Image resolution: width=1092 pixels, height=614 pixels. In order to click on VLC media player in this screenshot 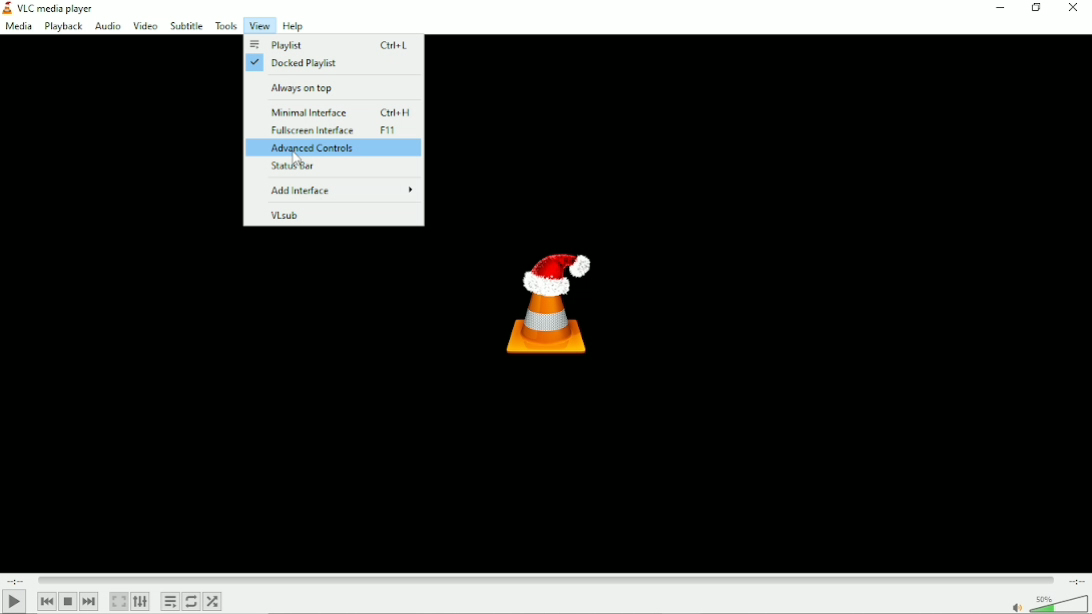, I will do `click(63, 9)`.